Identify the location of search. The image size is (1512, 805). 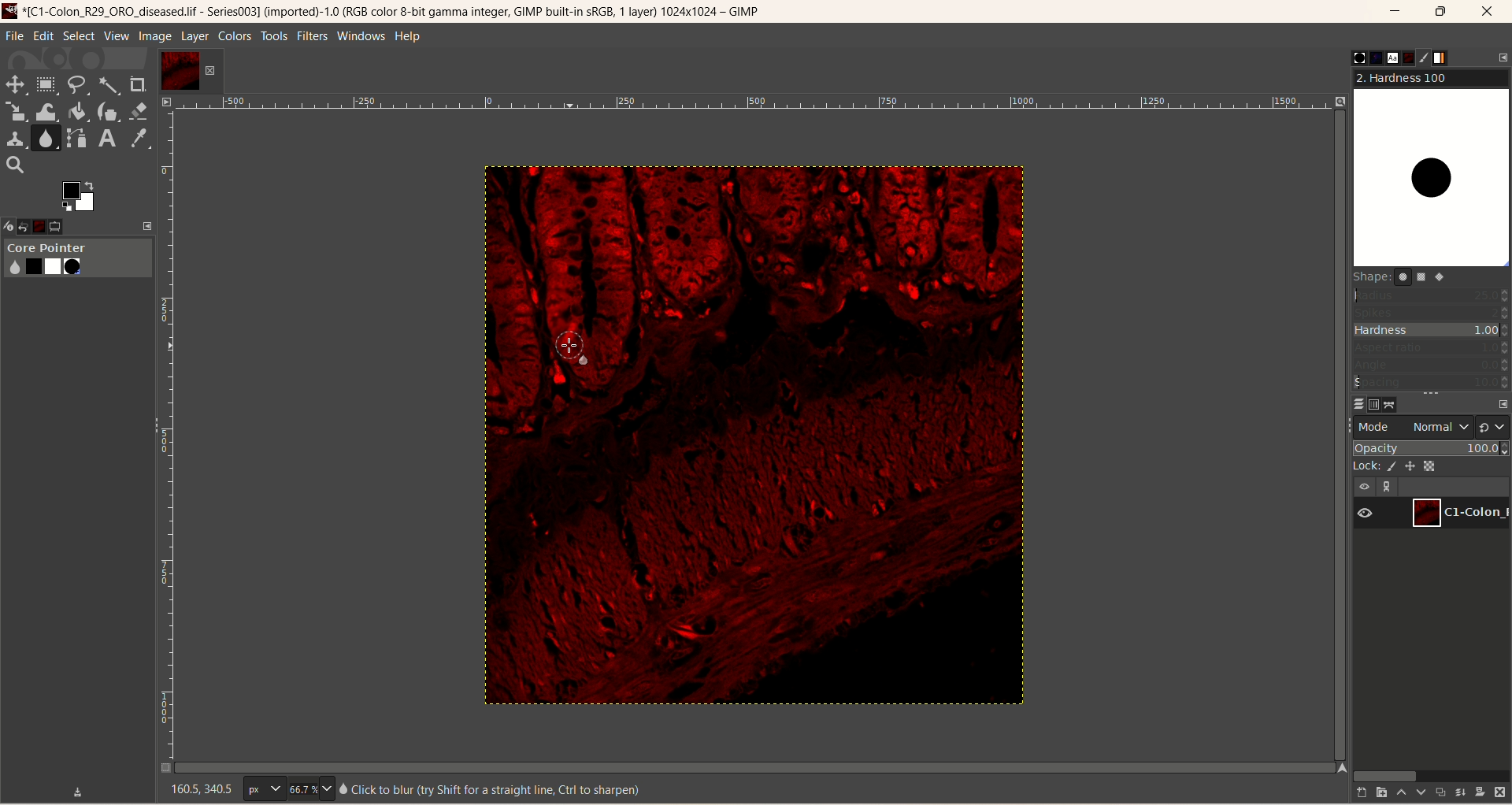
(15, 165).